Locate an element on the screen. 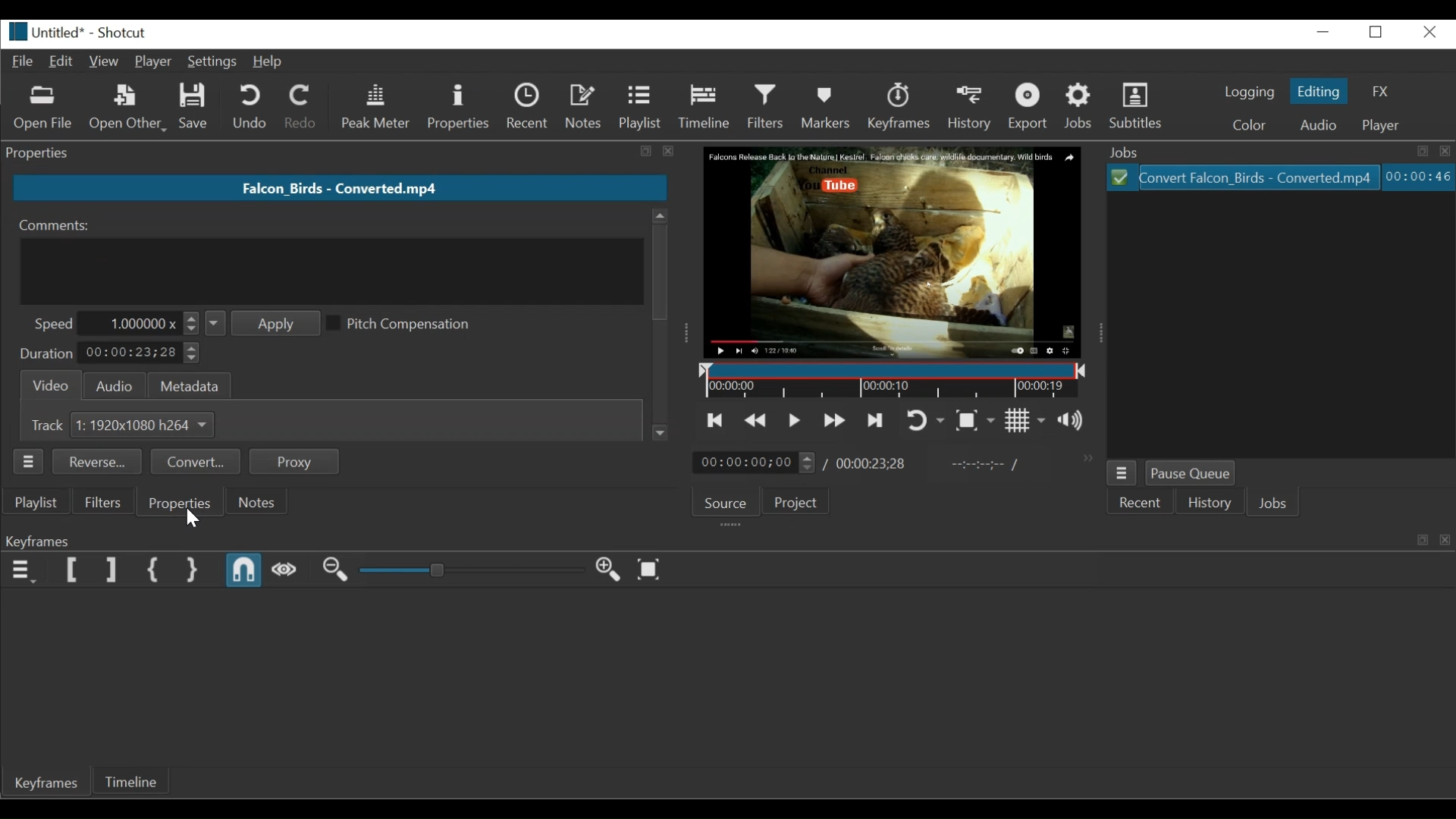  Apply is located at coordinates (261, 323).